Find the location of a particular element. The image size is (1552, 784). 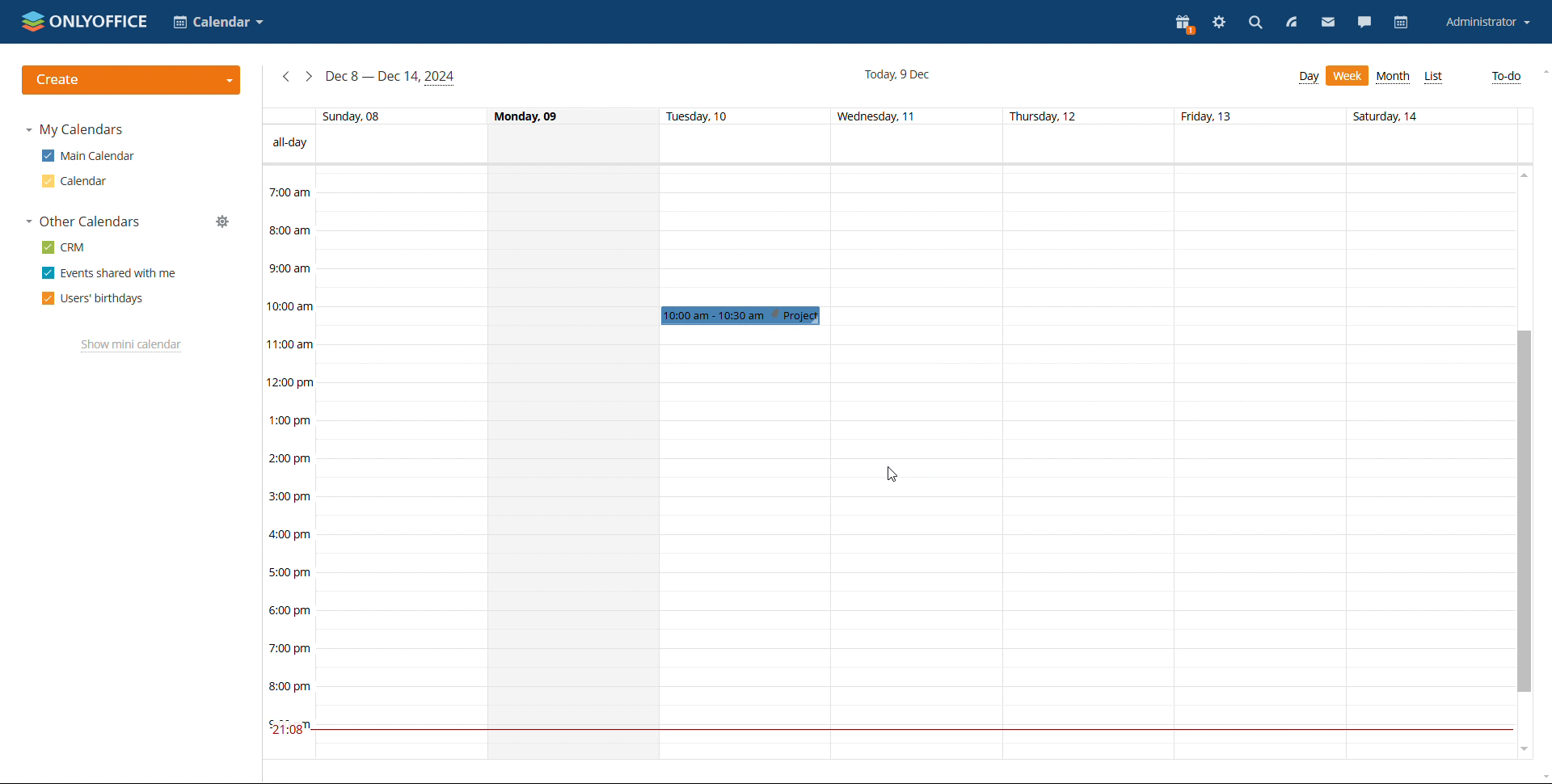

settings is located at coordinates (1218, 24).